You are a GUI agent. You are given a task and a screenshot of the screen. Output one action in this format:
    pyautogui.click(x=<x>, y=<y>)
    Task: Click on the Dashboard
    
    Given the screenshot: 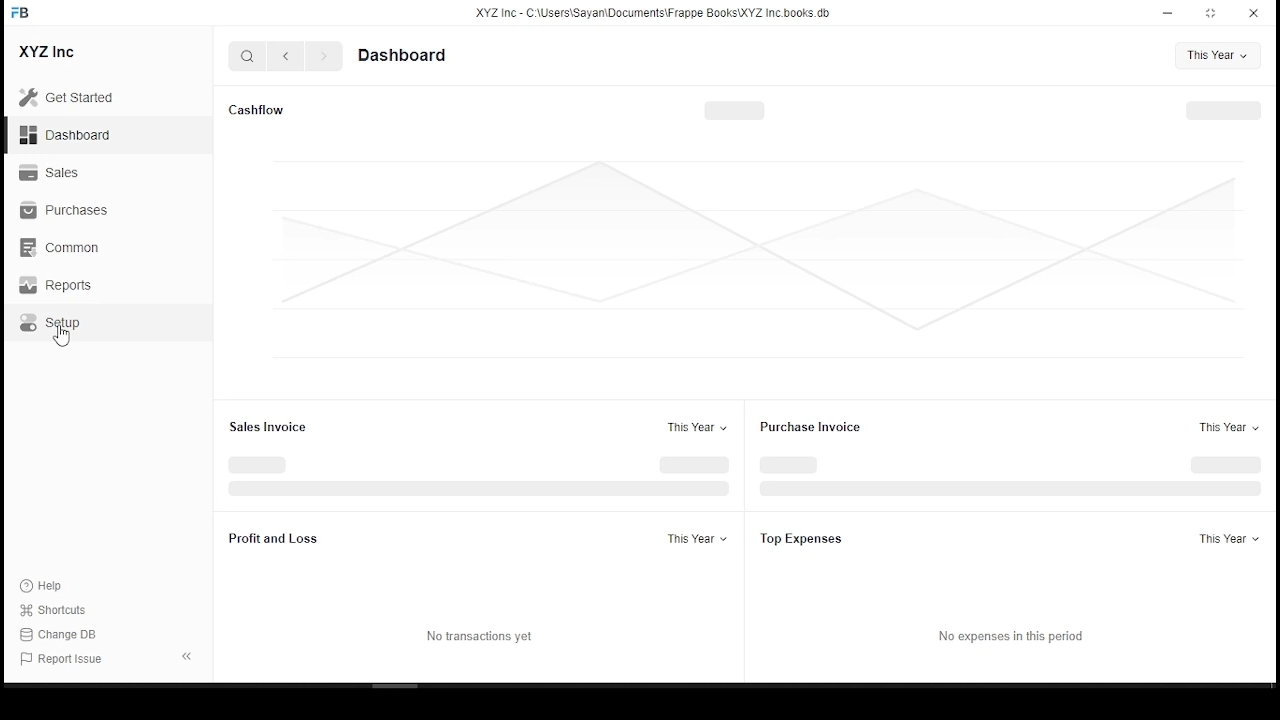 What is the action you would take?
    pyautogui.click(x=402, y=55)
    